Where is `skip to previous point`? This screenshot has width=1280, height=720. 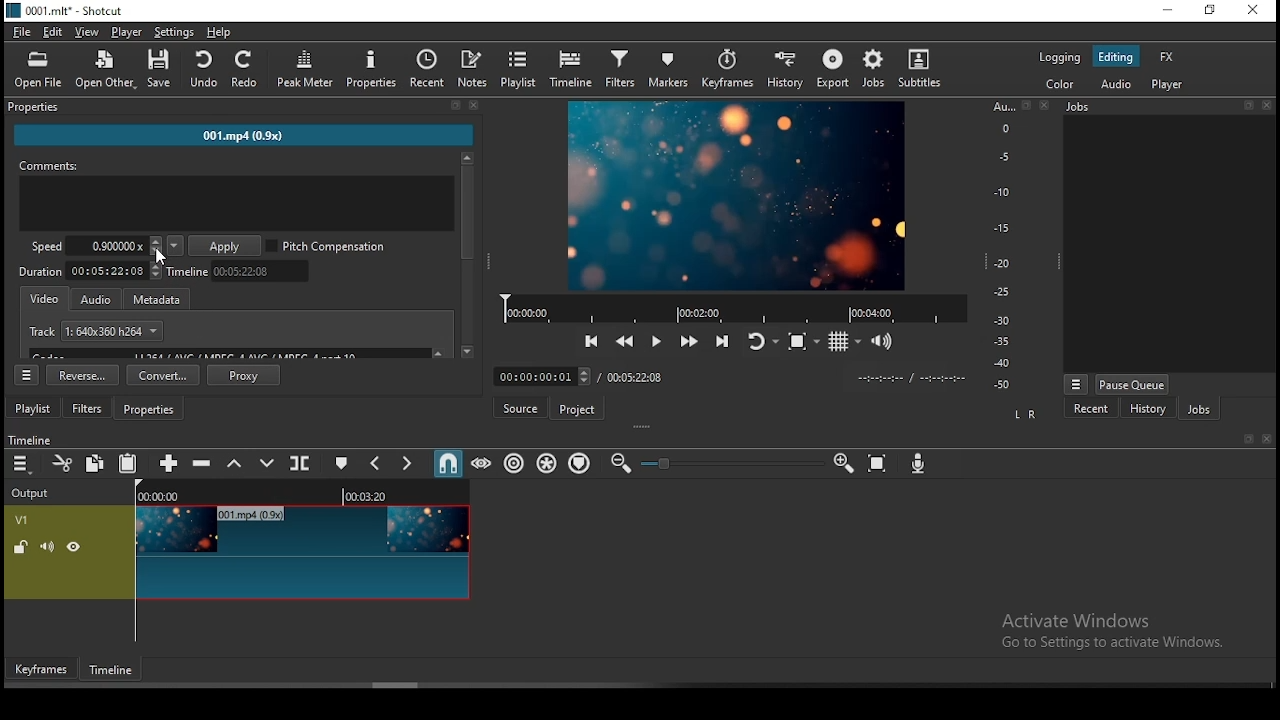 skip to previous point is located at coordinates (592, 340).